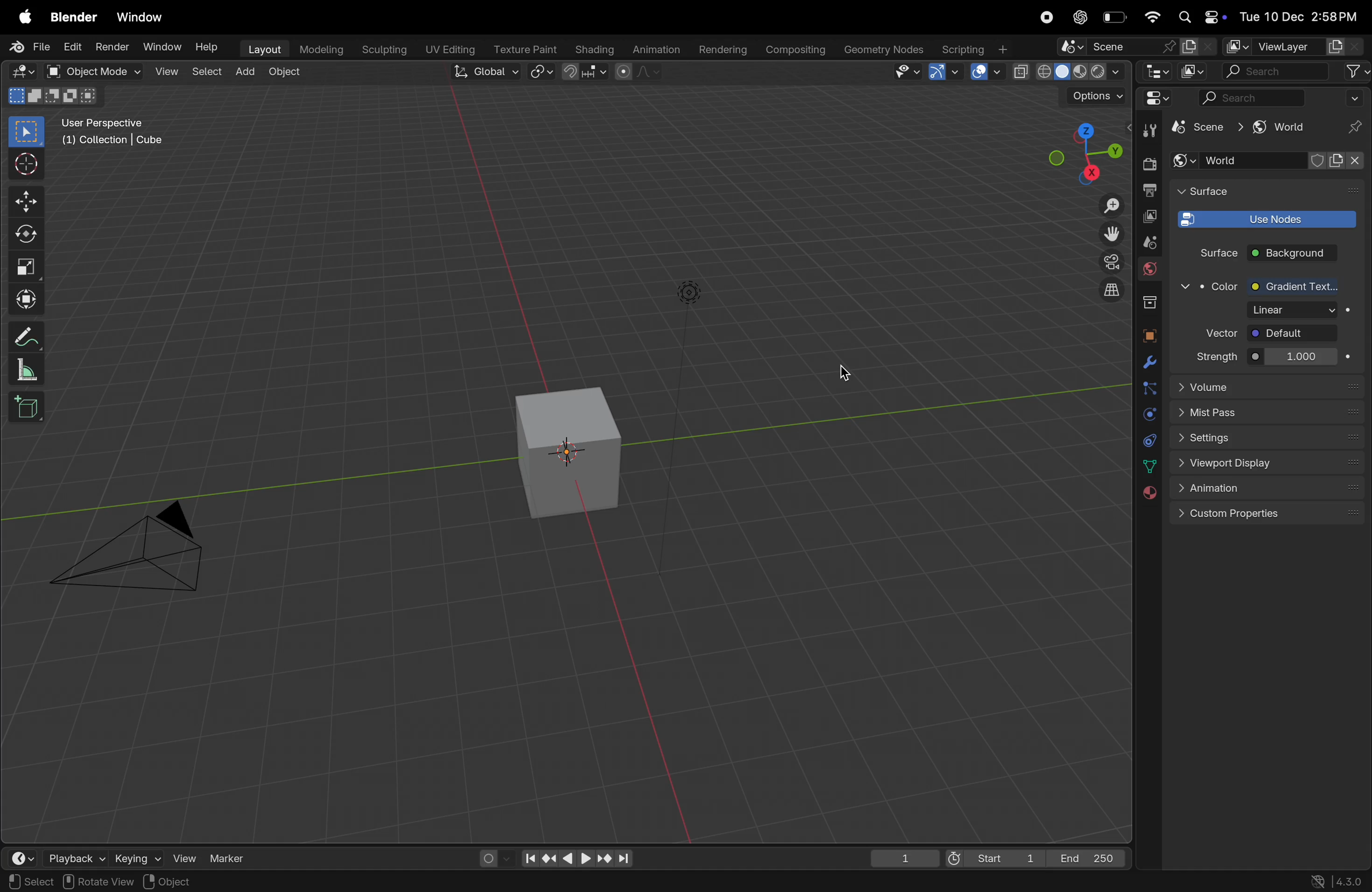  What do you see at coordinates (1148, 243) in the screenshot?
I see `scene` at bounding box center [1148, 243].